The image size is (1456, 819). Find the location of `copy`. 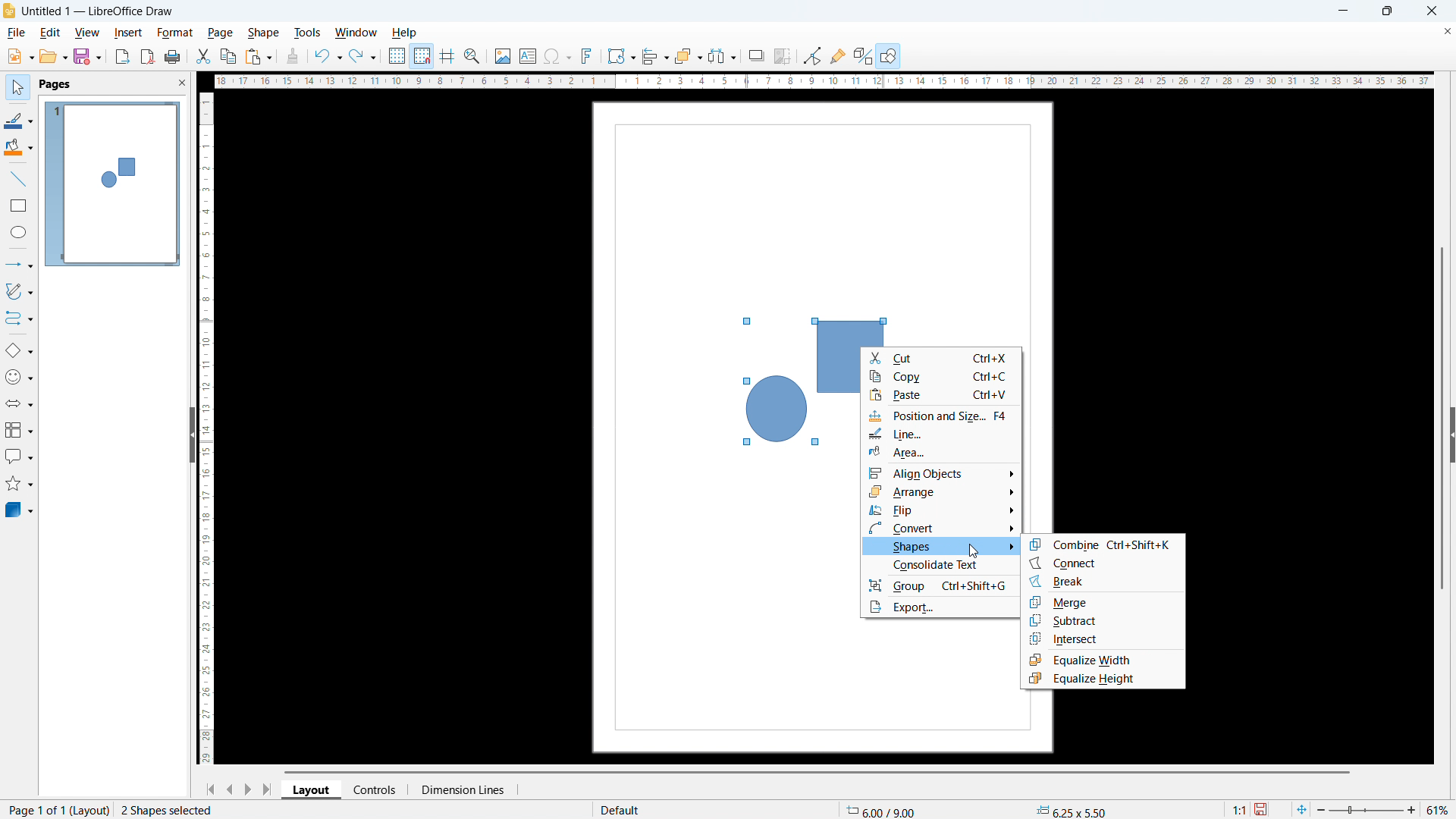

copy is located at coordinates (229, 56).